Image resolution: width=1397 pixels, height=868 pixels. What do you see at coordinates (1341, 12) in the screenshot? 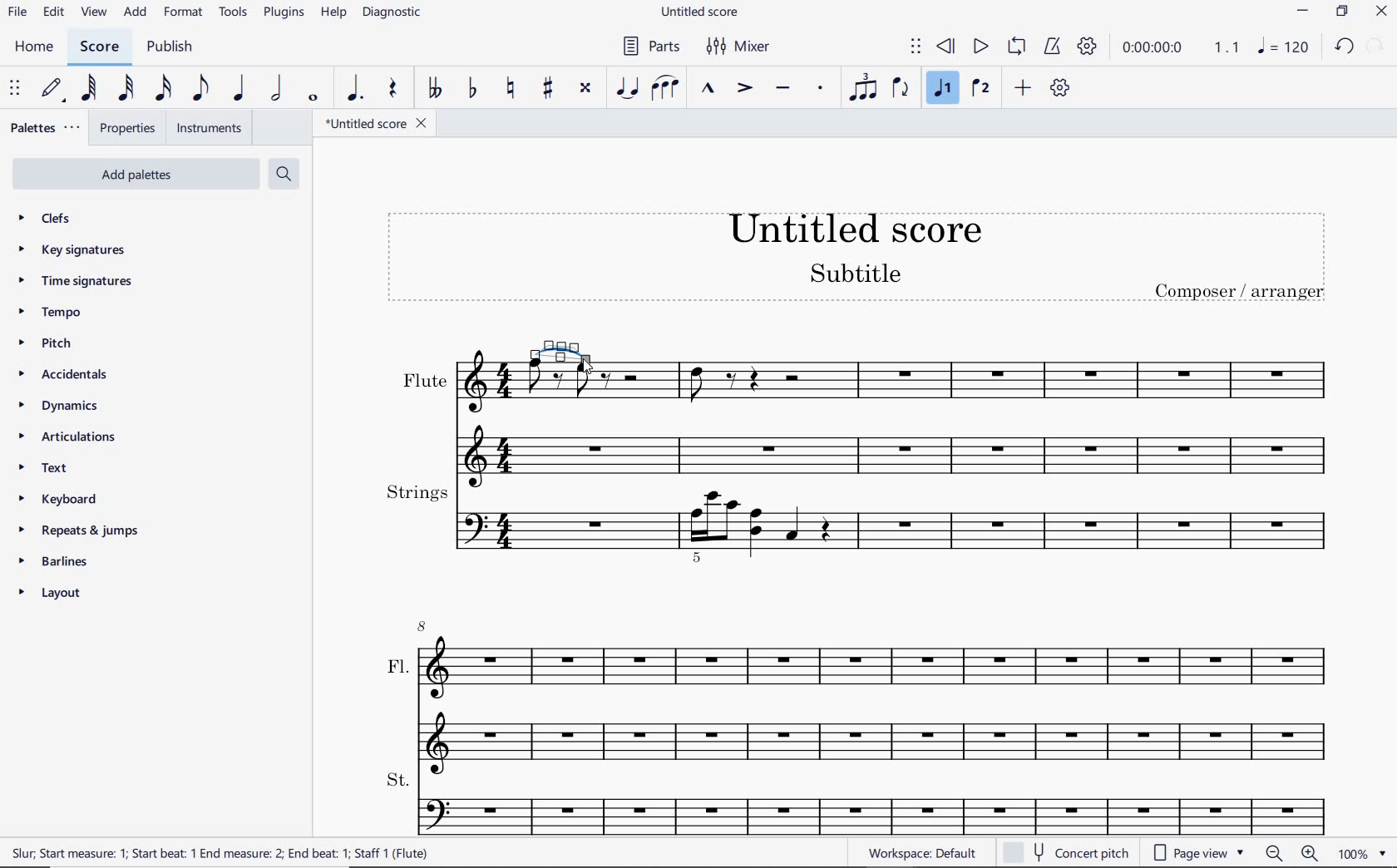
I see `restore down` at bounding box center [1341, 12].